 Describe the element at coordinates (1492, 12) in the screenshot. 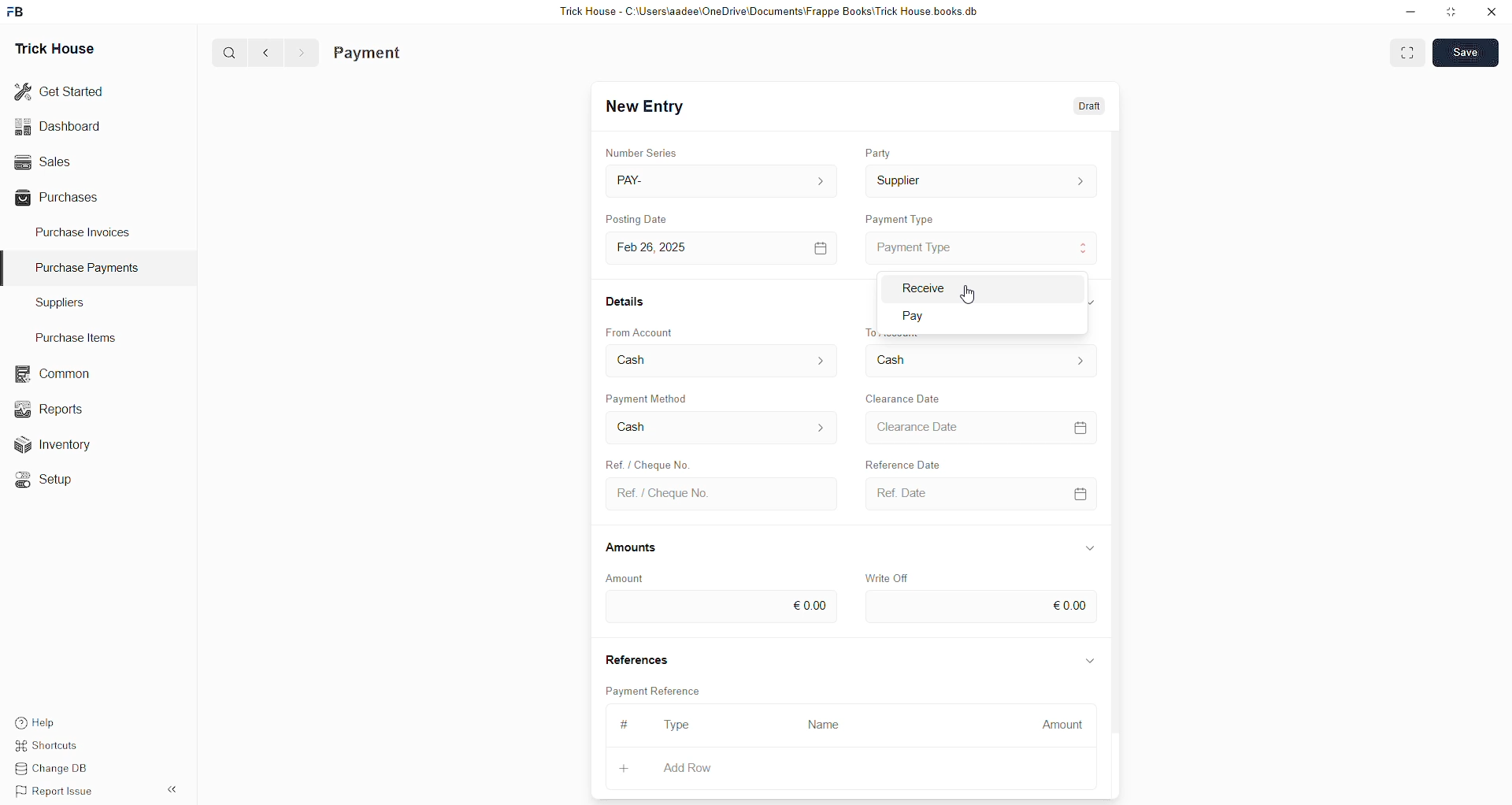

I see `close` at that location.